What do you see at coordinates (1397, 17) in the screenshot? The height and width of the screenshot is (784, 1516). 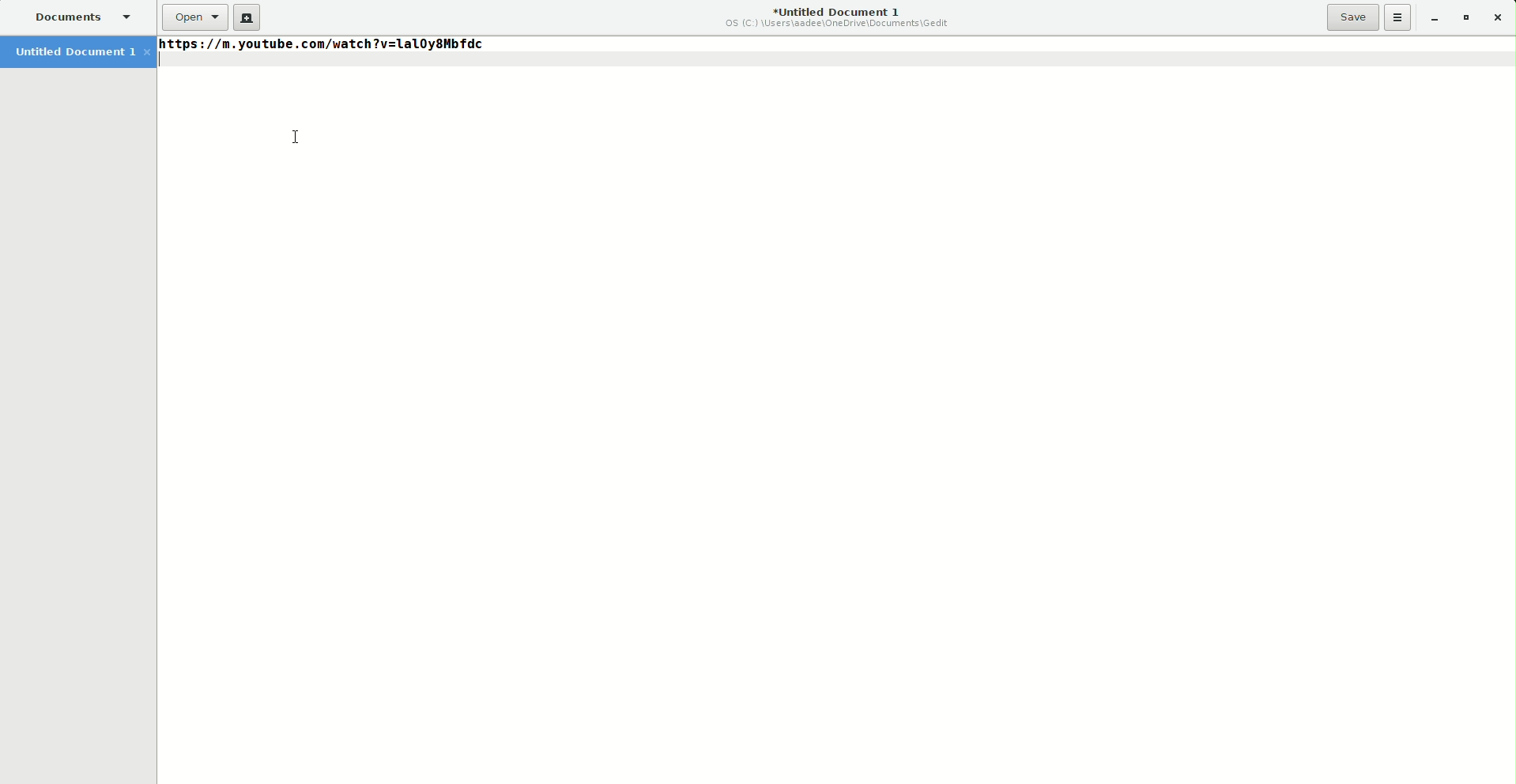 I see `Options` at bounding box center [1397, 17].